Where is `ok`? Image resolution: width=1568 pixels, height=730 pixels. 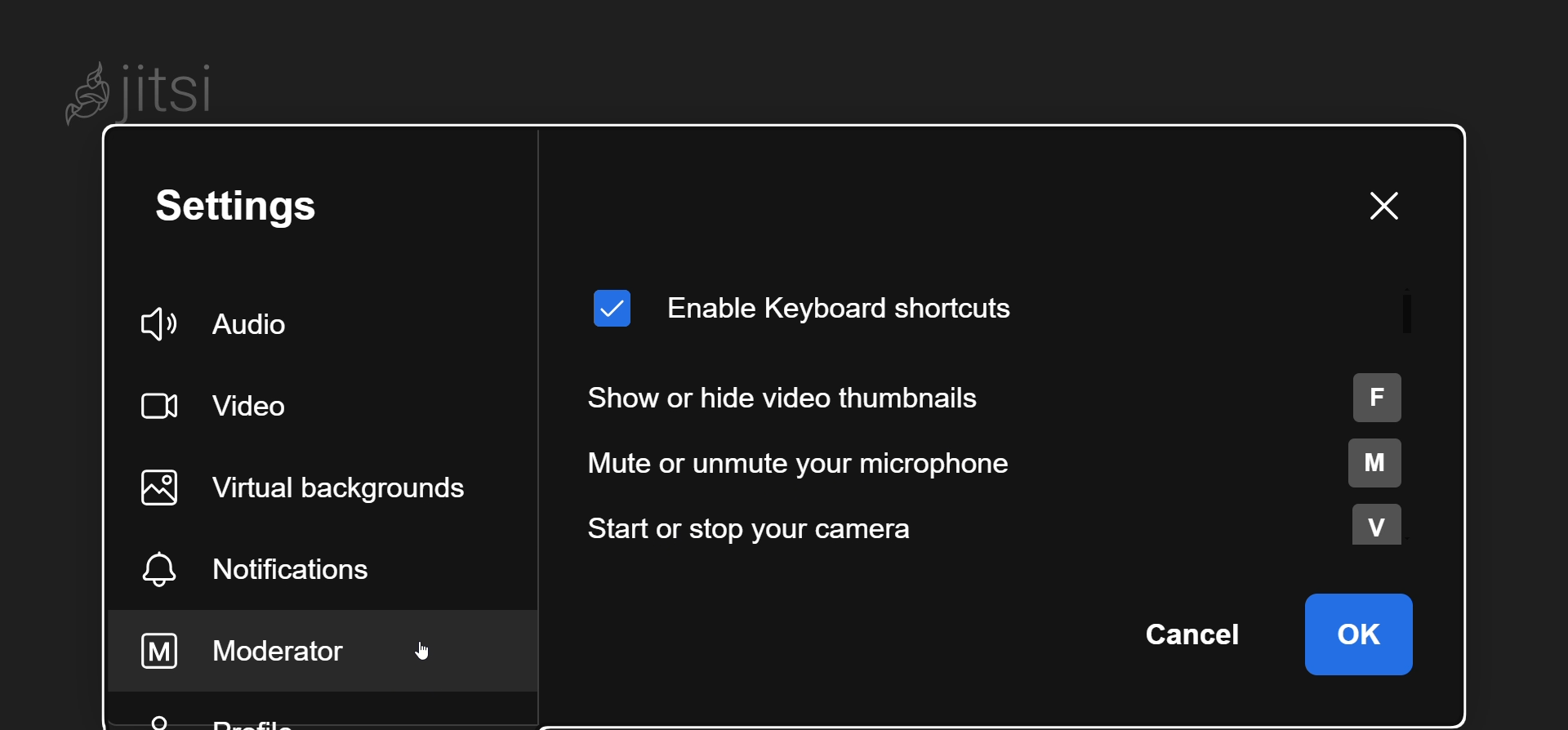
ok is located at coordinates (1370, 635).